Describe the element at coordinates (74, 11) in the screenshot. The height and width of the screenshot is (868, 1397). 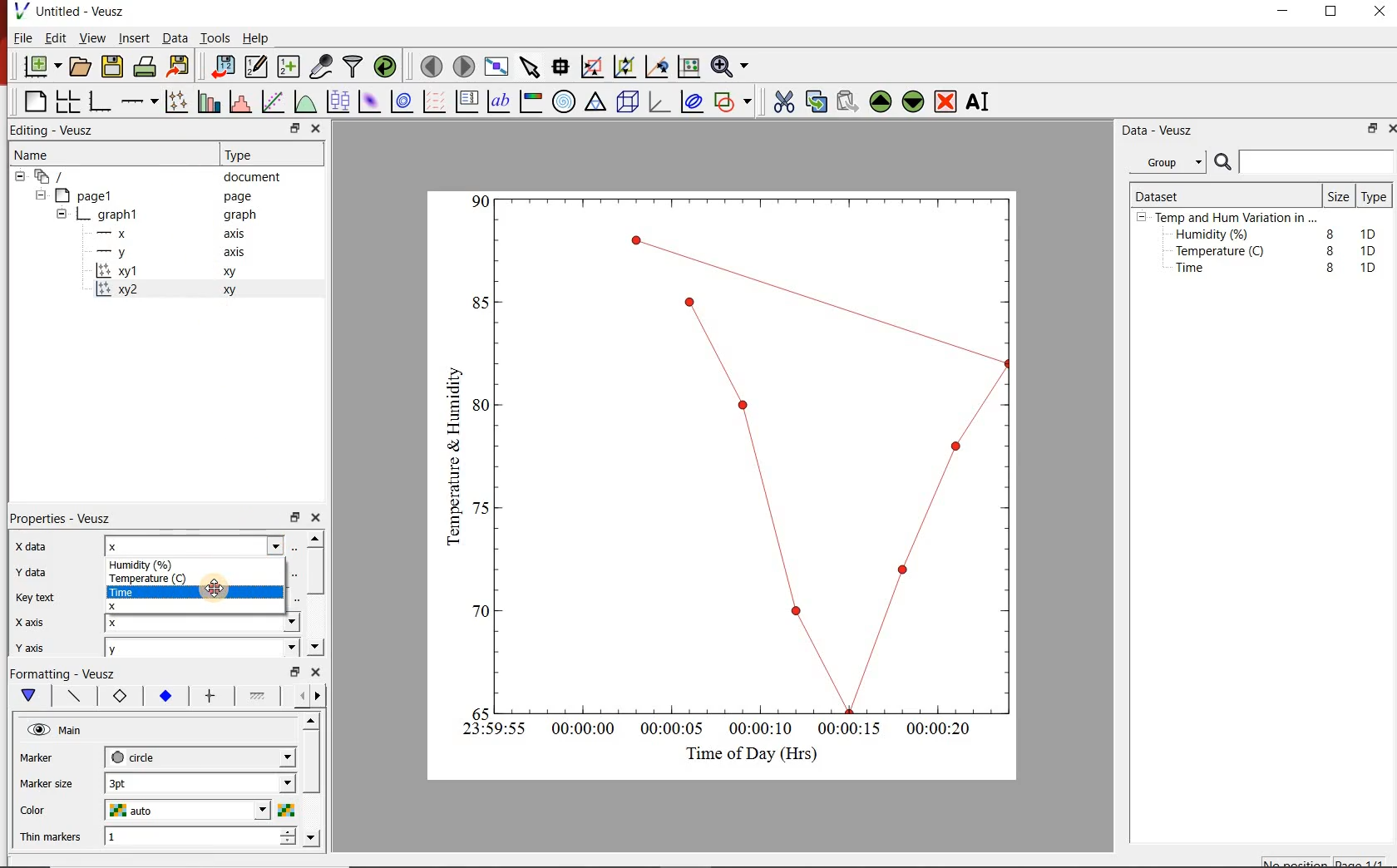
I see `Untitled - Veusz` at that location.